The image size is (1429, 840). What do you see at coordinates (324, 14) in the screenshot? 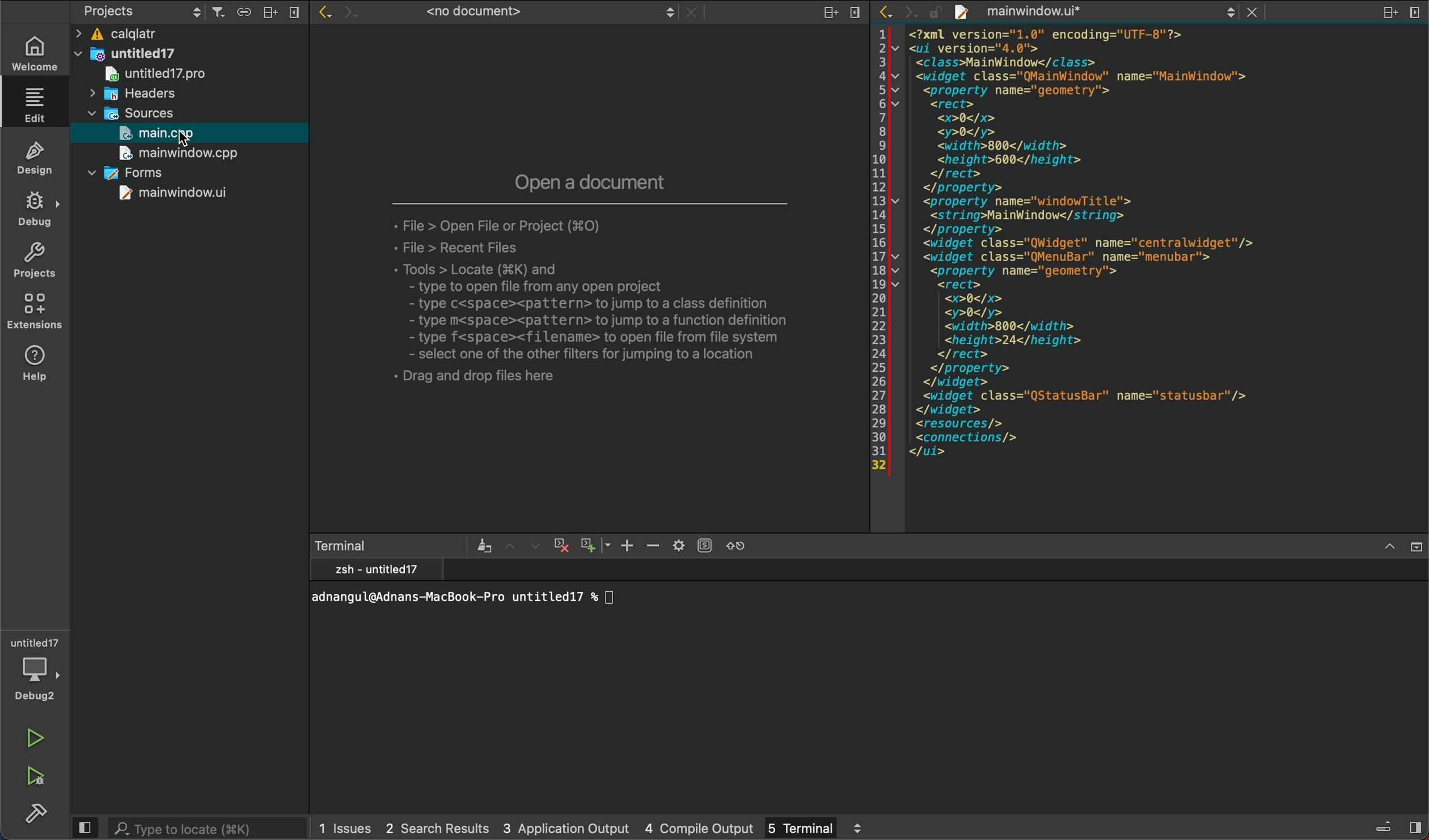
I see `go back` at bounding box center [324, 14].